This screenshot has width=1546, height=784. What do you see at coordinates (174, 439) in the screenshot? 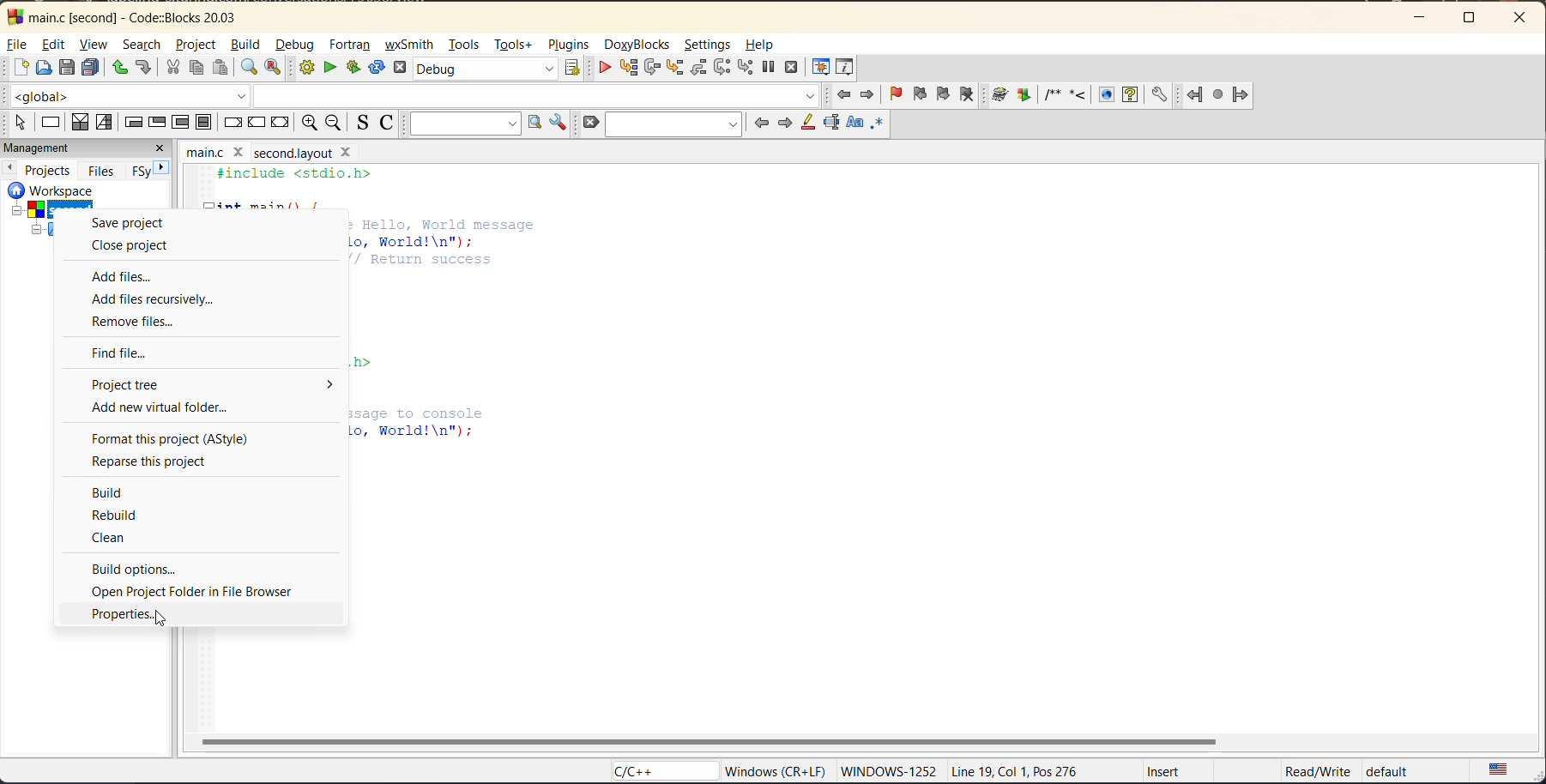
I see `format this project` at bounding box center [174, 439].